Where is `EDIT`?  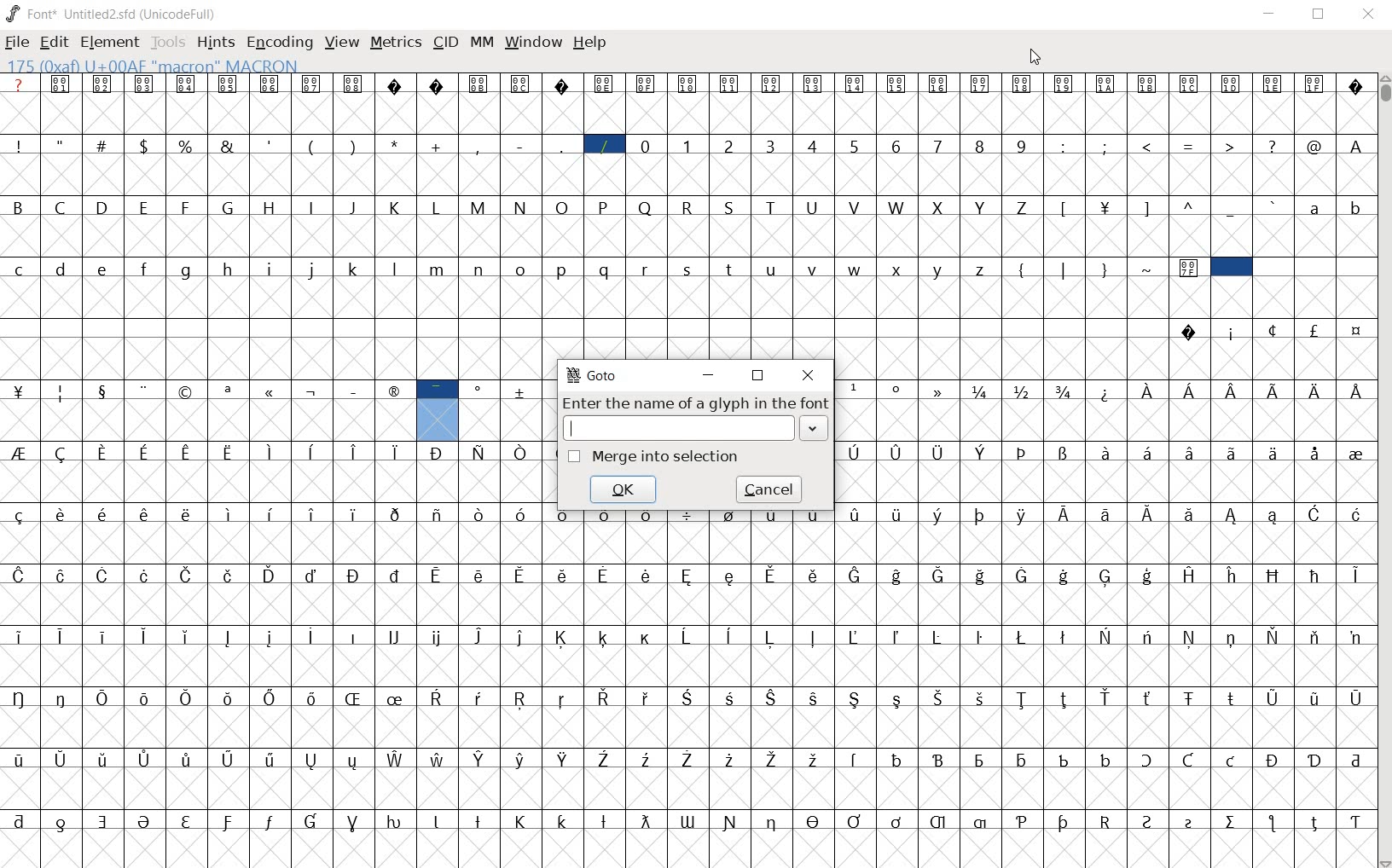 EDIT is located at coordinates (54, 42).